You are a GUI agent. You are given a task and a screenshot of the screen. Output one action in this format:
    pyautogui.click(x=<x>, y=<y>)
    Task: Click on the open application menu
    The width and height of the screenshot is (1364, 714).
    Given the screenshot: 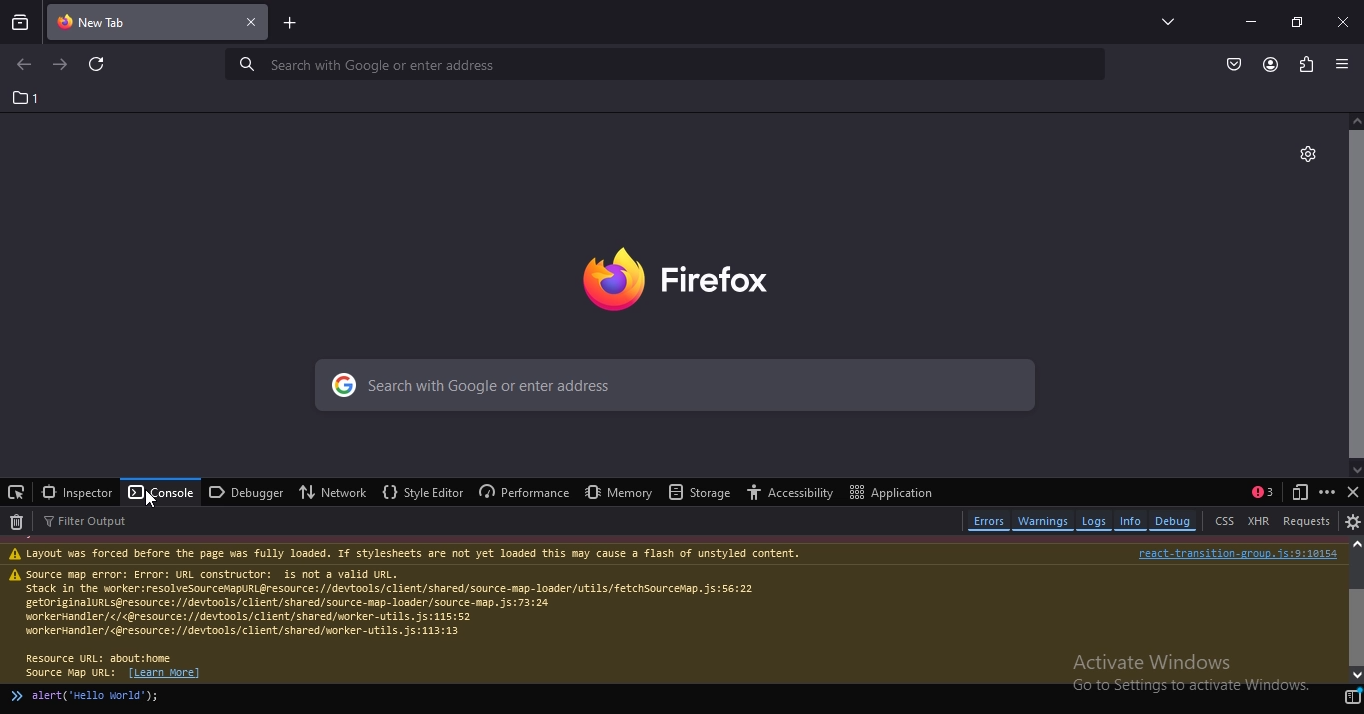 What is the action you would take?
    pyautogui.click(x=1342, y=65)
    